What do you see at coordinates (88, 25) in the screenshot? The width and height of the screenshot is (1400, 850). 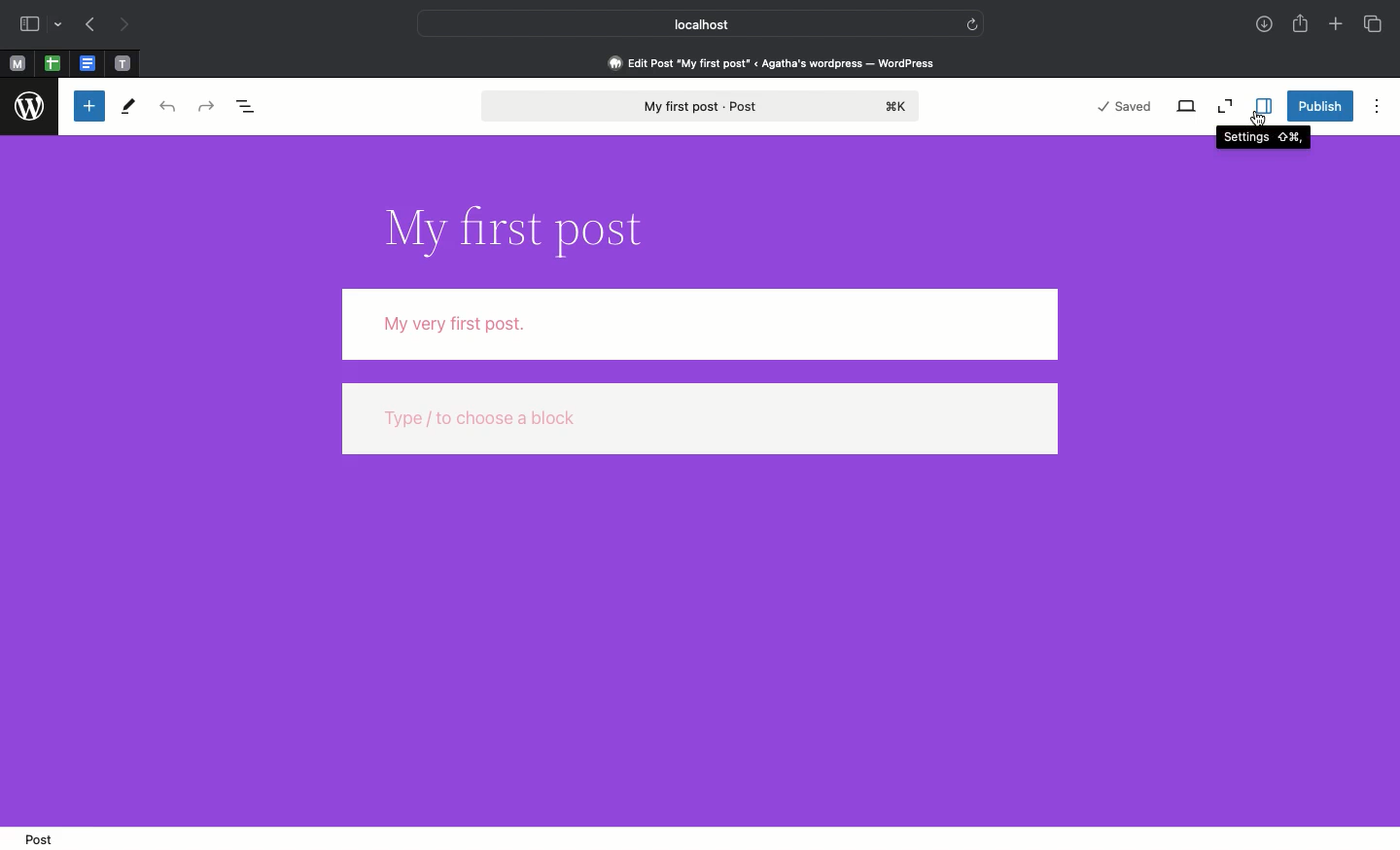 I see `Previous page` at bounding box center [88, 25].